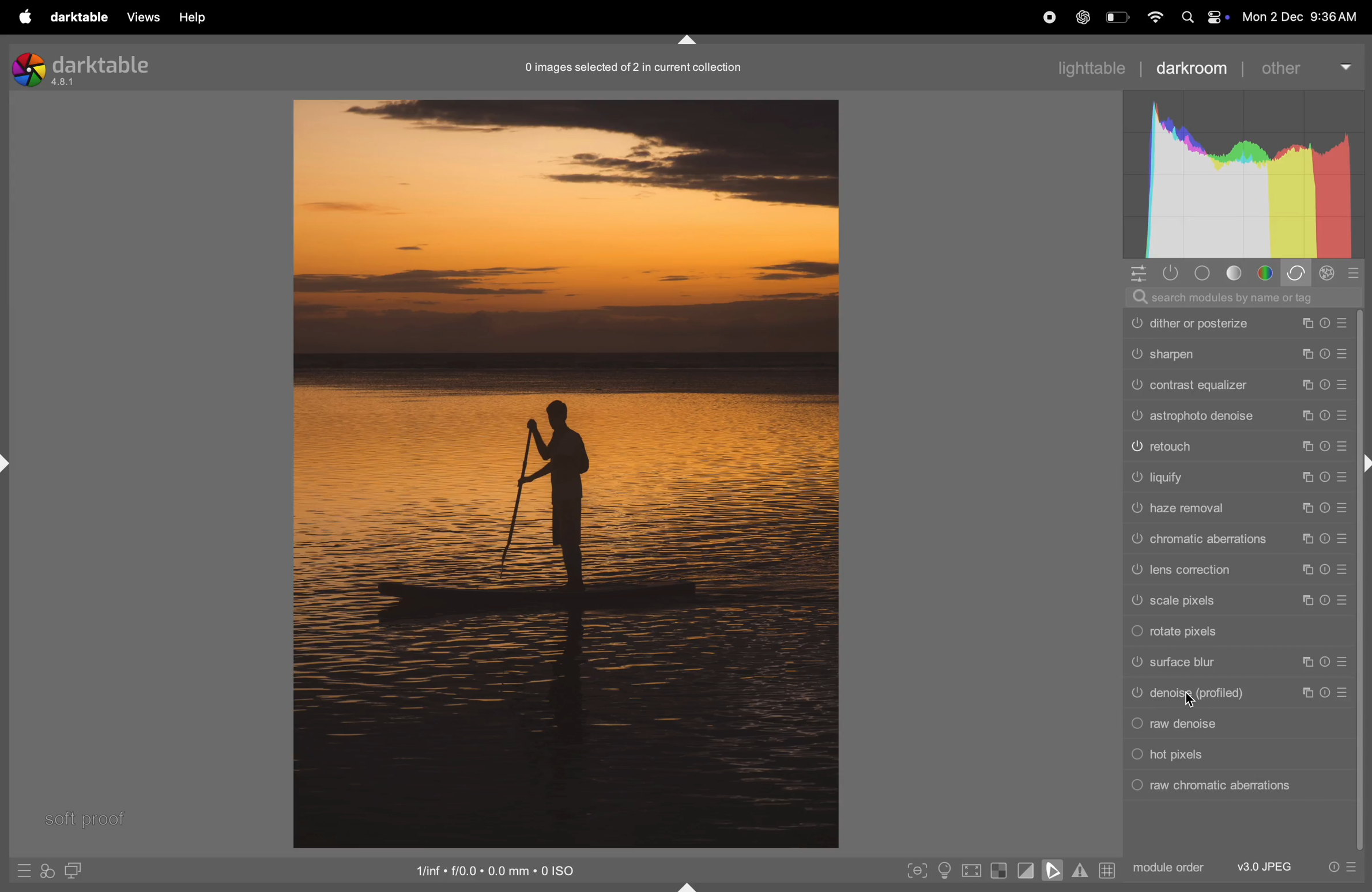  Describe the element at coordinates (195, 17) in the screenshot. I see `help` at that location.